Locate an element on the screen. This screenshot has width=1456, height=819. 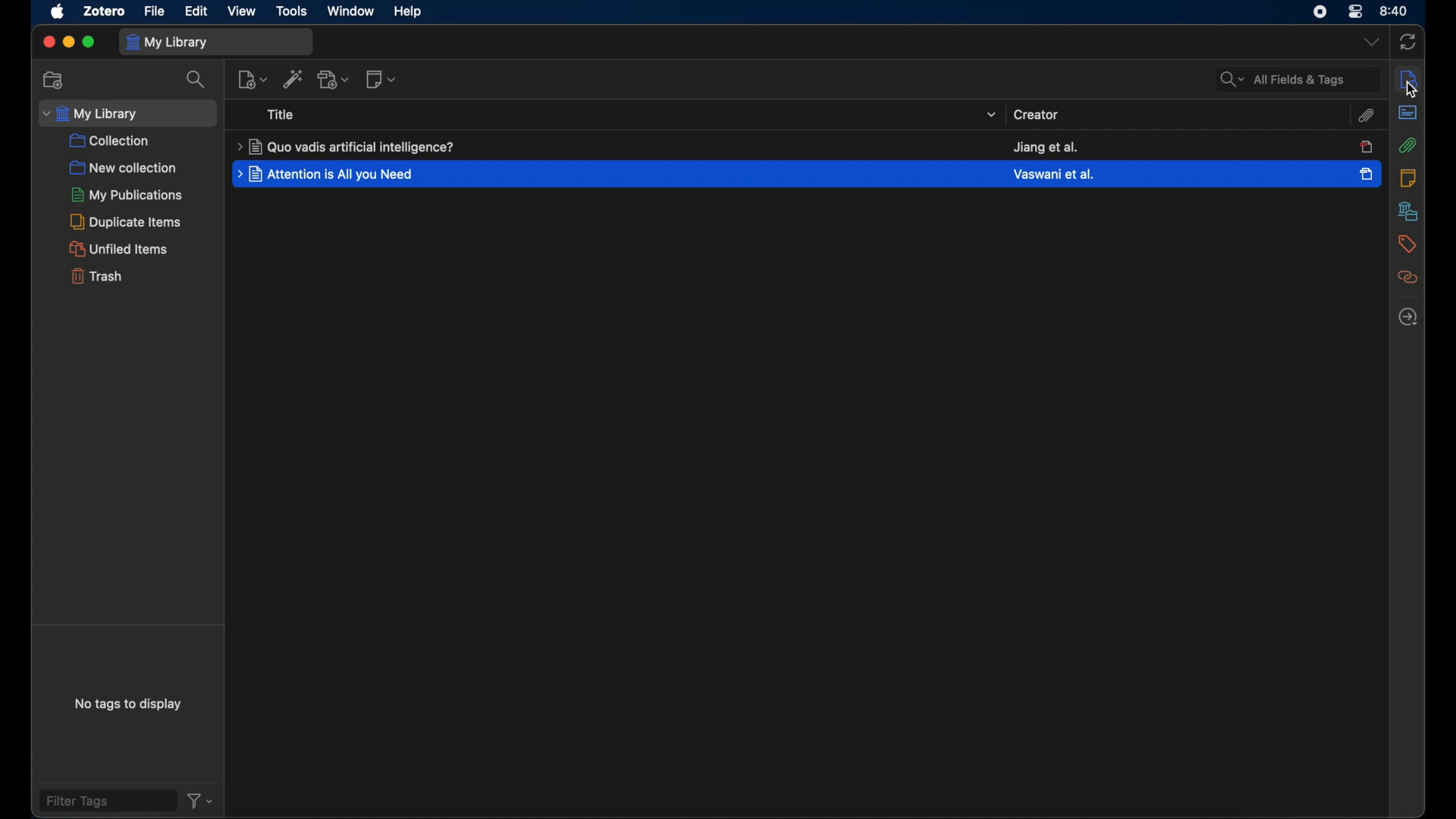
view is located at coordinates (243, 11).